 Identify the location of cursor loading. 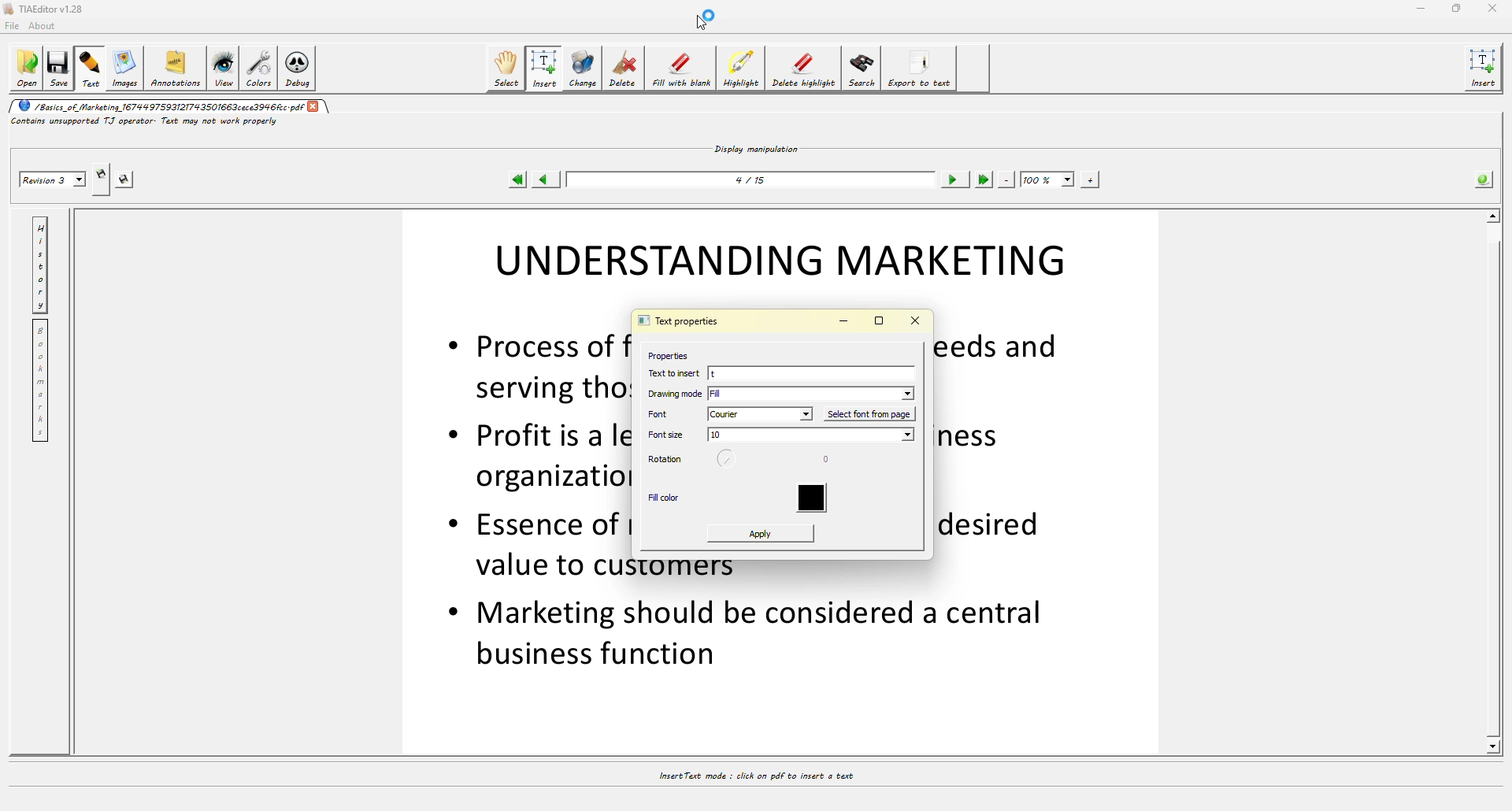
(701, 17).